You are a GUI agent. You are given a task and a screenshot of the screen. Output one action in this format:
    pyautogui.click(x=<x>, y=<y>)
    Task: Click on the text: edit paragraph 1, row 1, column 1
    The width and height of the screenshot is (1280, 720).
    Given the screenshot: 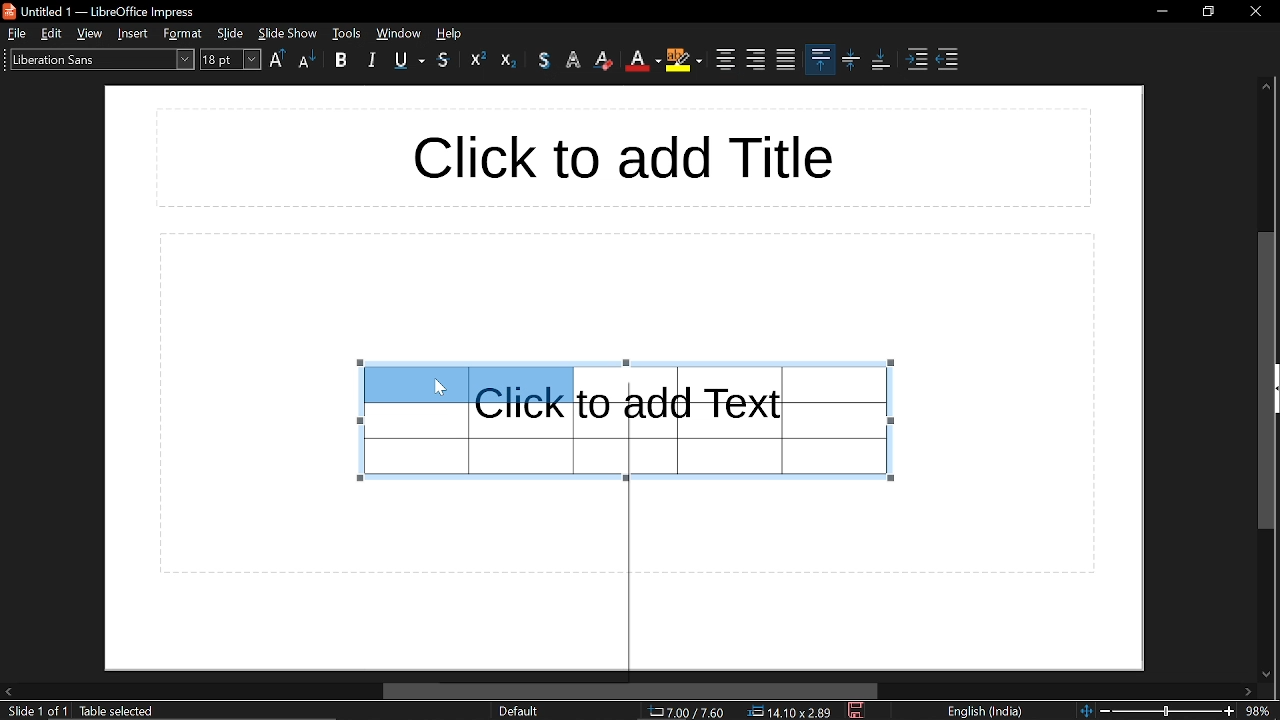 What is the action you would take?
    pyautogui.click(x=186, y=712)
    